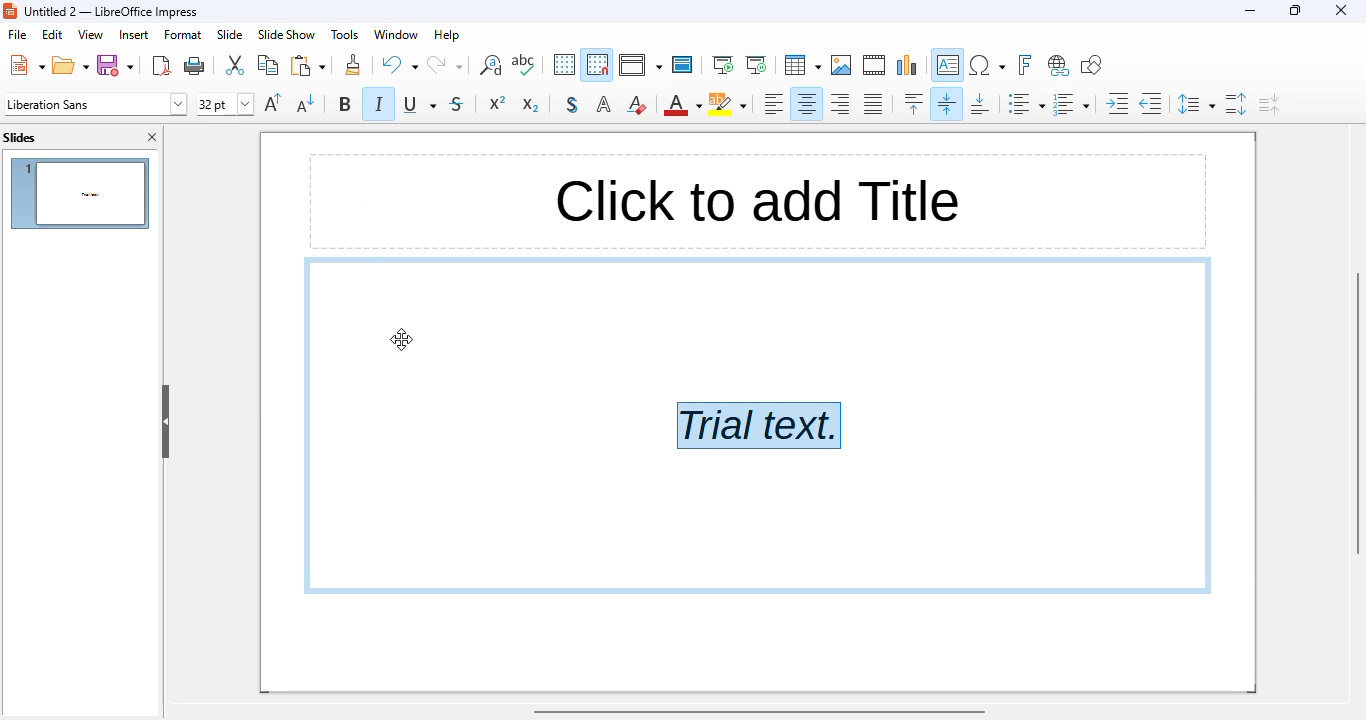  What do you see at coordinates (760, 425) in the screenshot?
I see `trial text` at bounding box center [760, 425].